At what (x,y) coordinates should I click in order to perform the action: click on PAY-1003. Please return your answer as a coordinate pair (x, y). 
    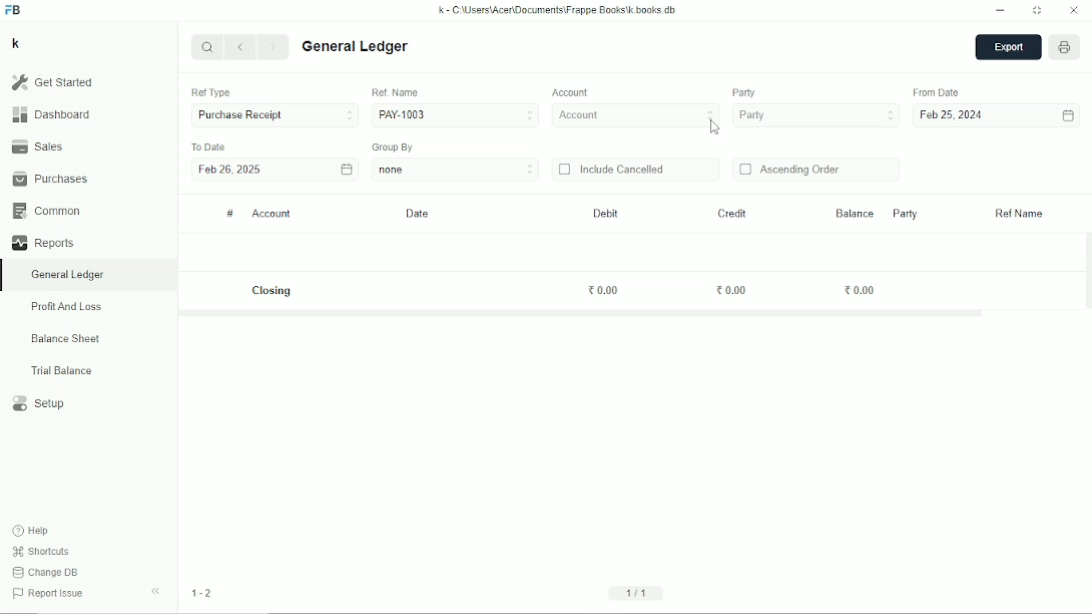
    Looking at the image, I should click on (455, 114).